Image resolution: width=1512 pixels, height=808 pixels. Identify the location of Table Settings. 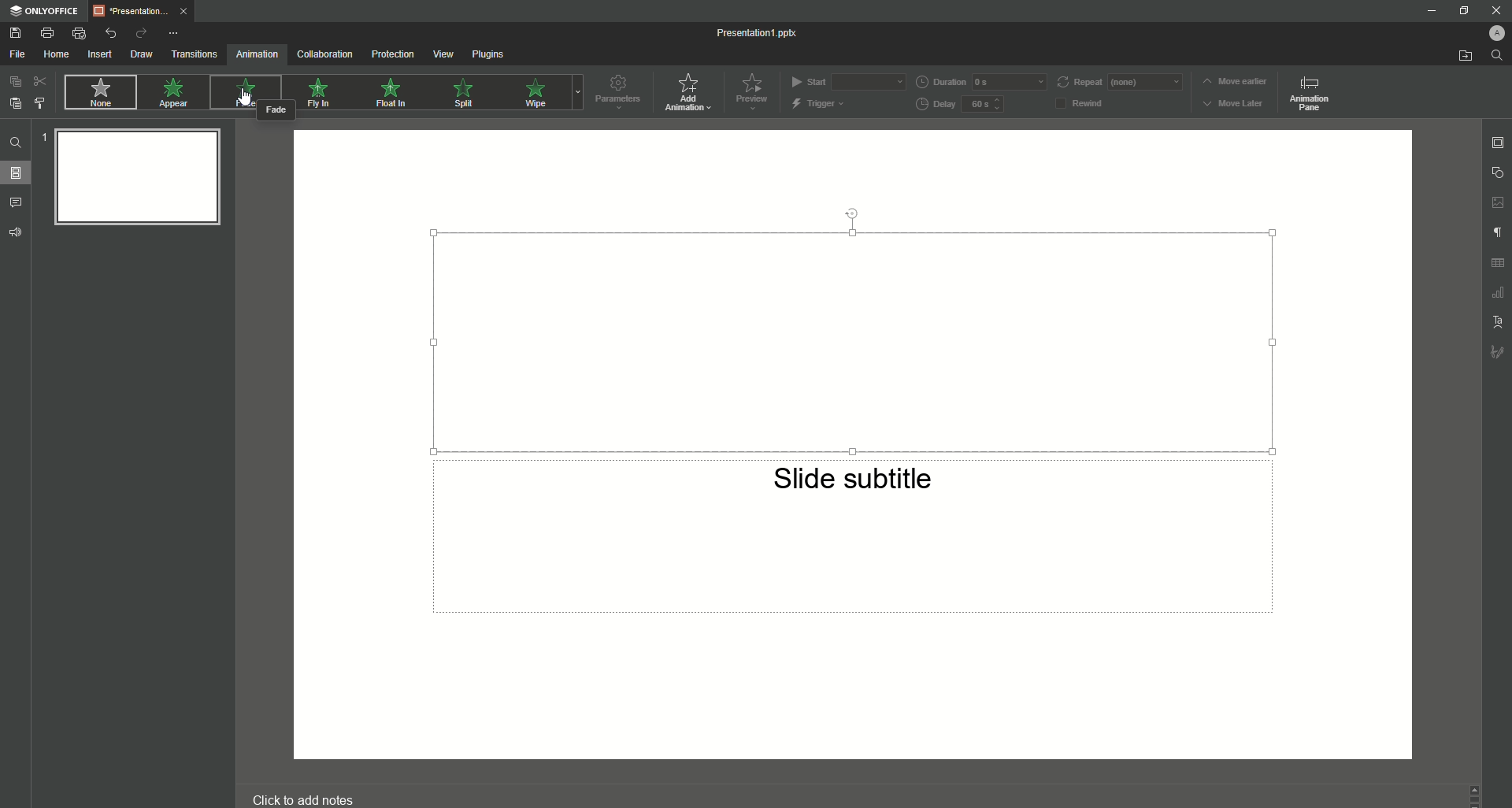
(1495, 265).